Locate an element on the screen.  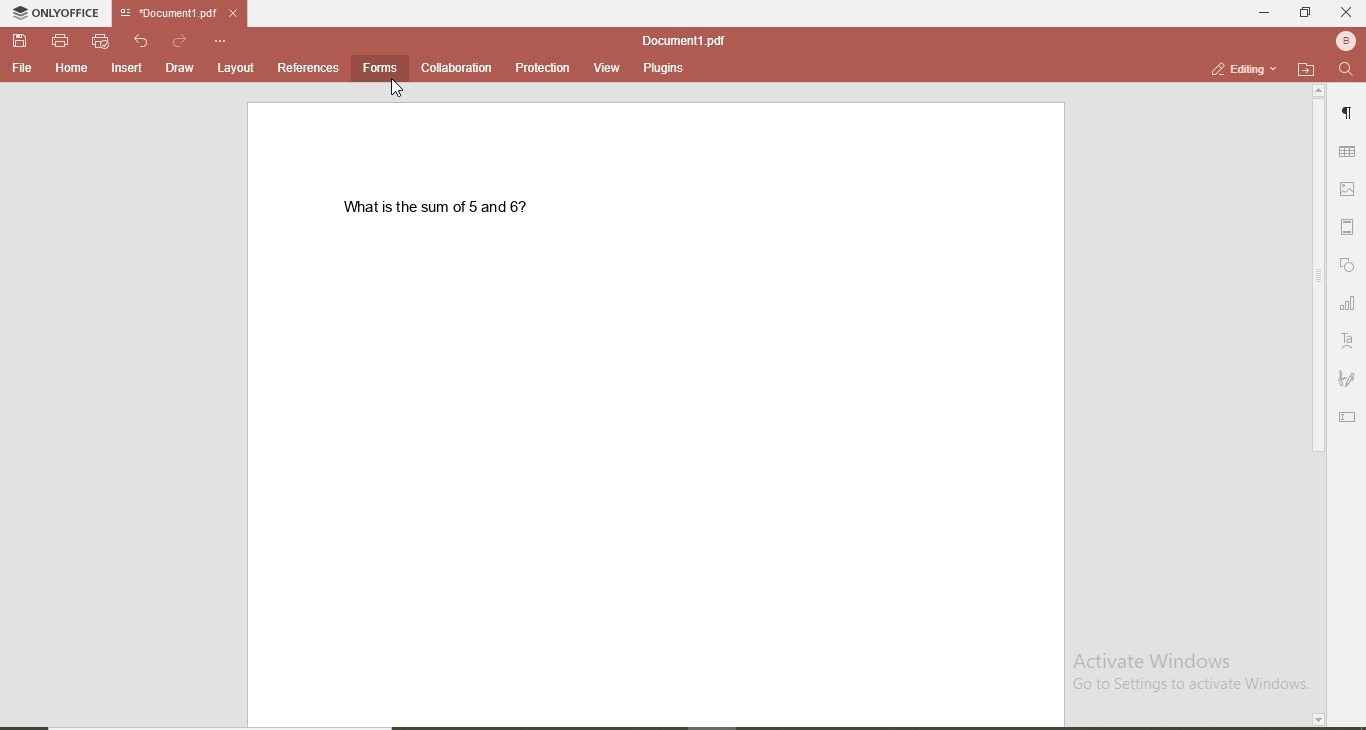
references is located at coordinates (309, 69).